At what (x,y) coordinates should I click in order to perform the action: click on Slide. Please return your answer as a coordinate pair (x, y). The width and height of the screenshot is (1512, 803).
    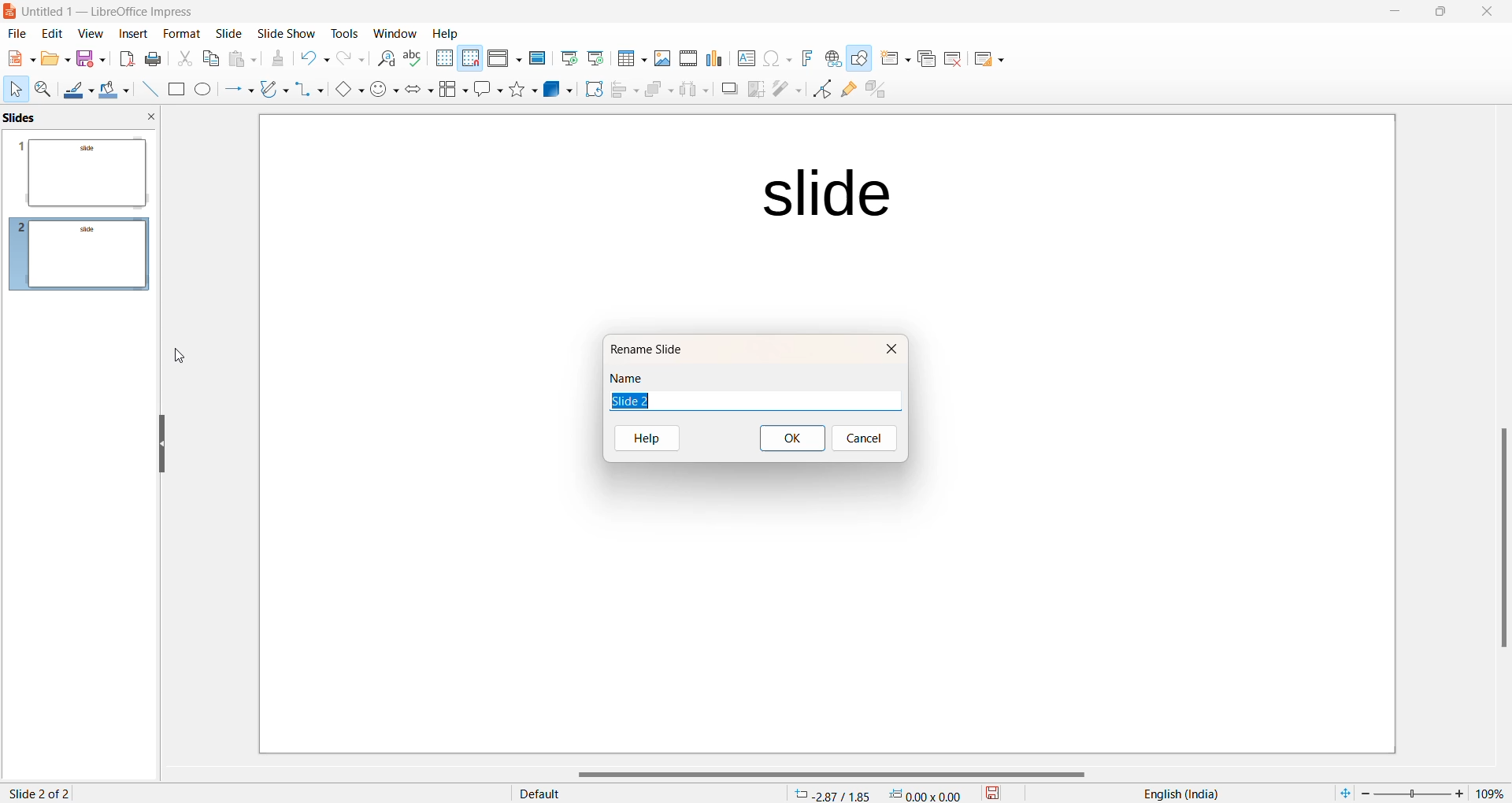
    Looking at the image, I should click on (229, 34).